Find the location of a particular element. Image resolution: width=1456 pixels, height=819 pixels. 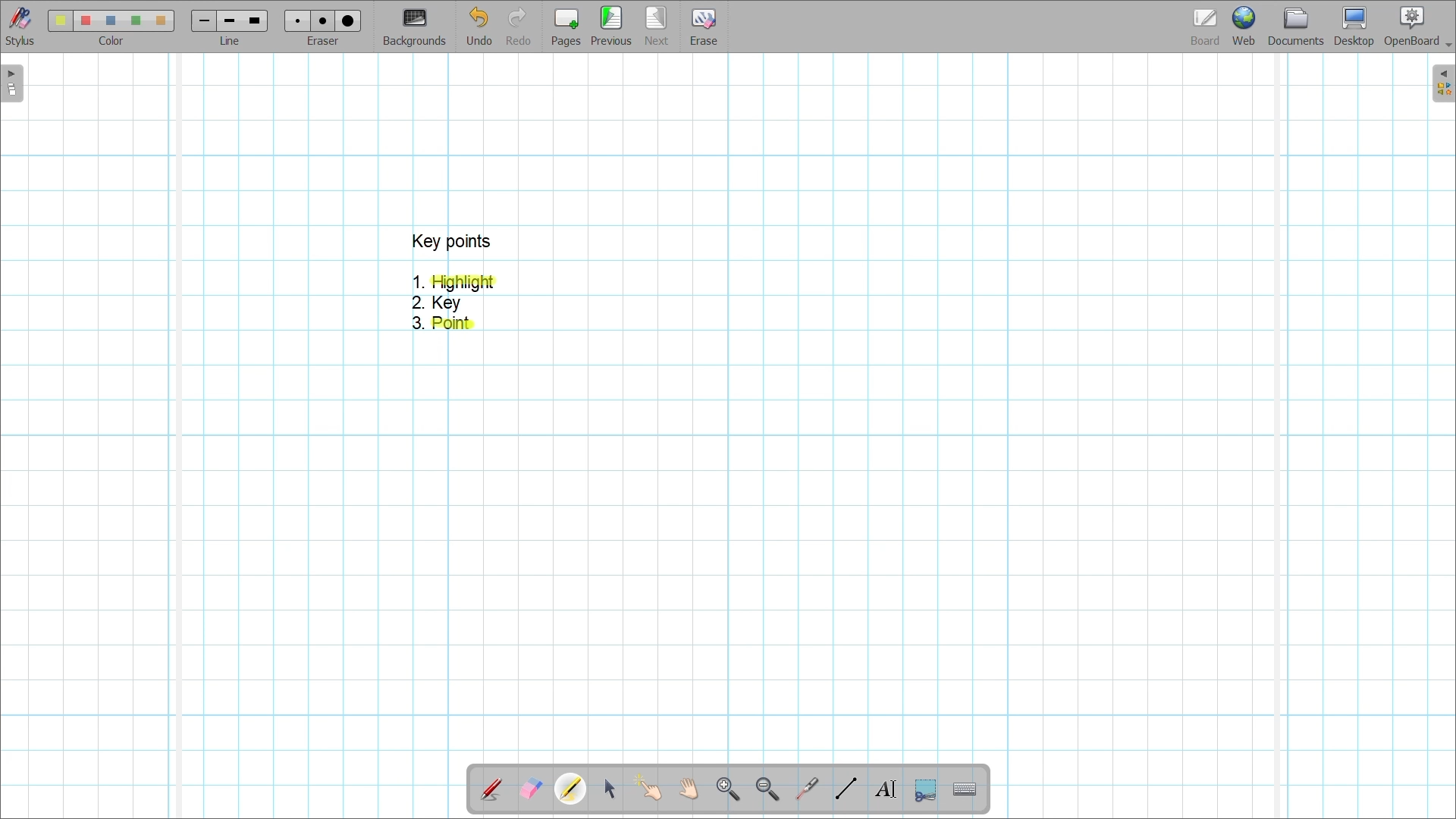

Interact with items is located at coordinates (648, 788).